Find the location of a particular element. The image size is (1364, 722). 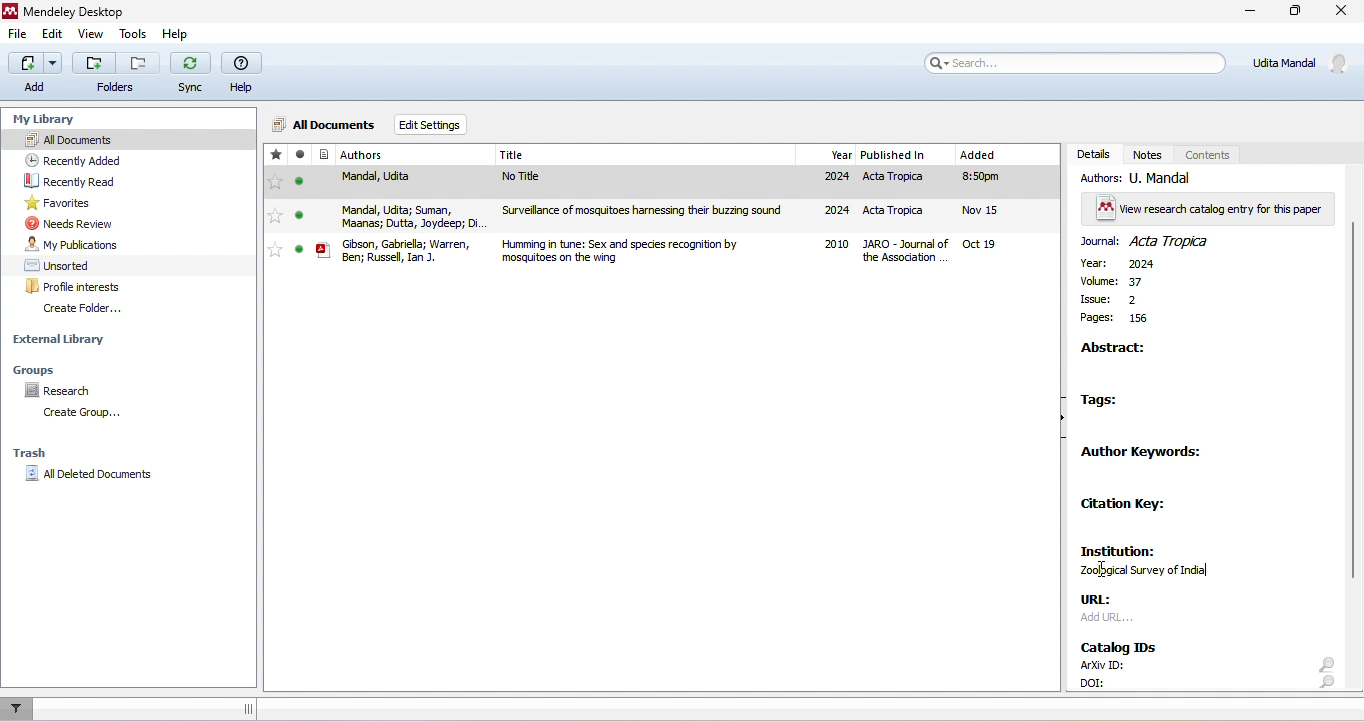

issue: 2 is located at coordinates (1126, 299).